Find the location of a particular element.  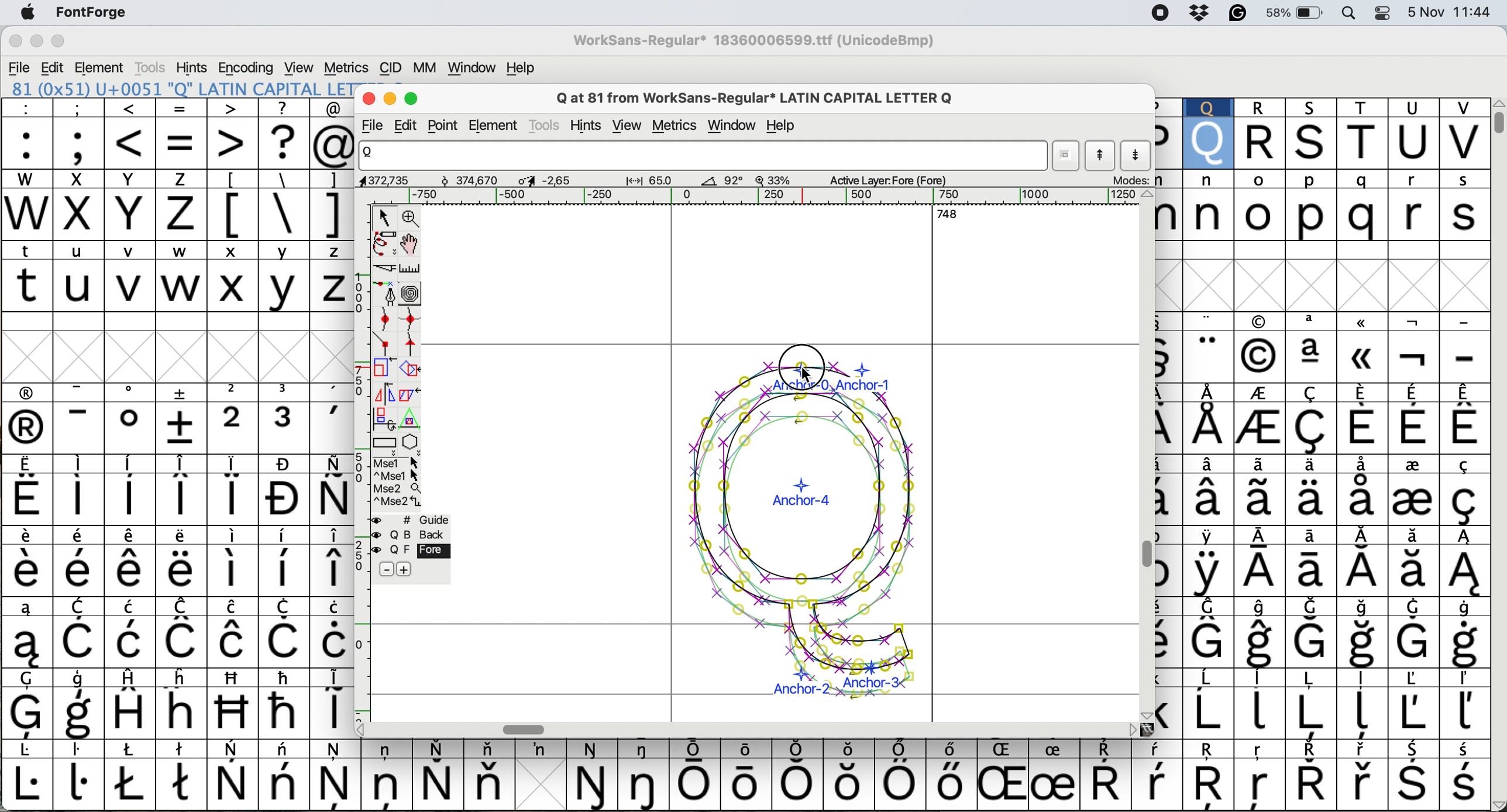

skew the selection is located at coordinates (409, 394).